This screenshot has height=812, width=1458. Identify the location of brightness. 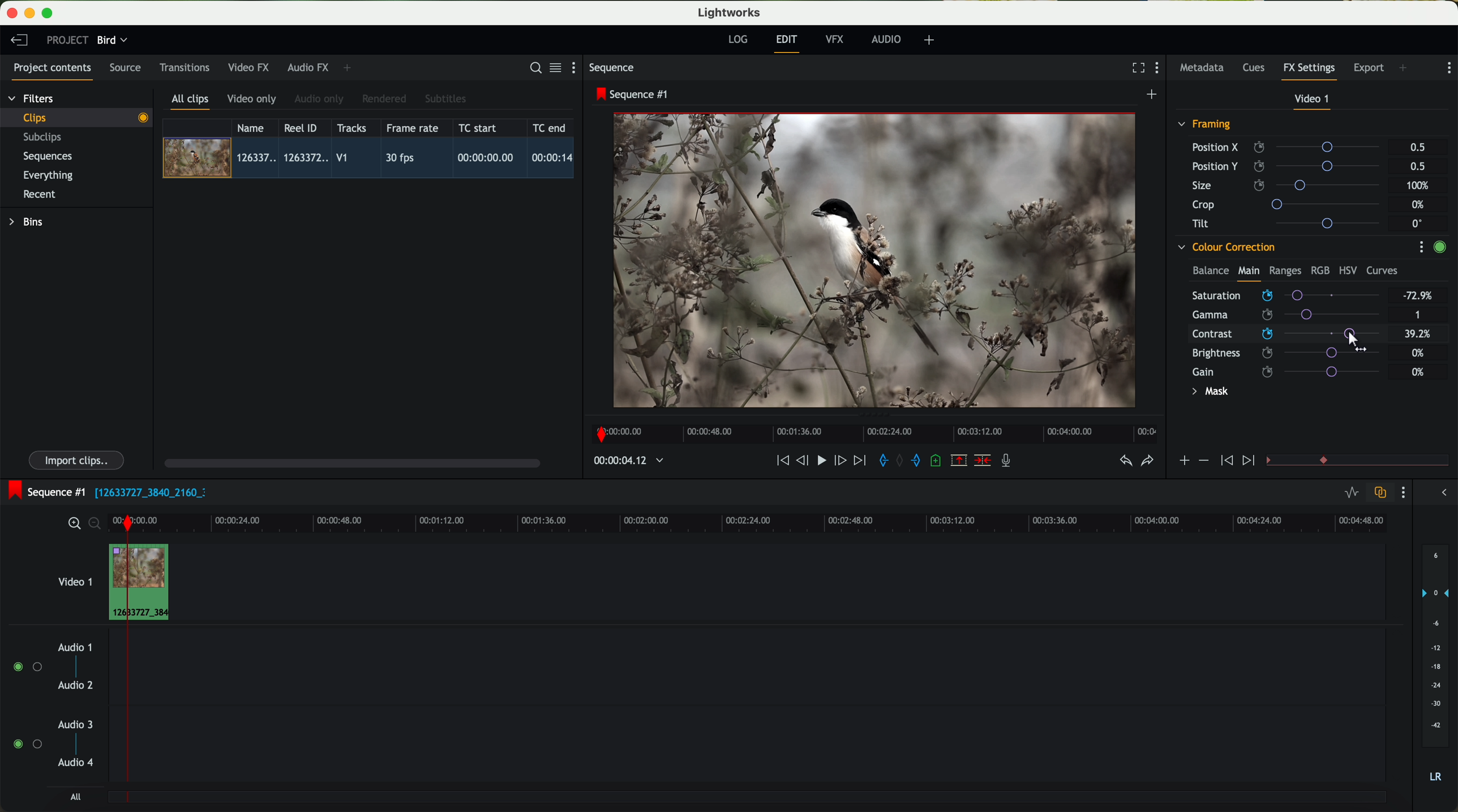
(1293, 353).